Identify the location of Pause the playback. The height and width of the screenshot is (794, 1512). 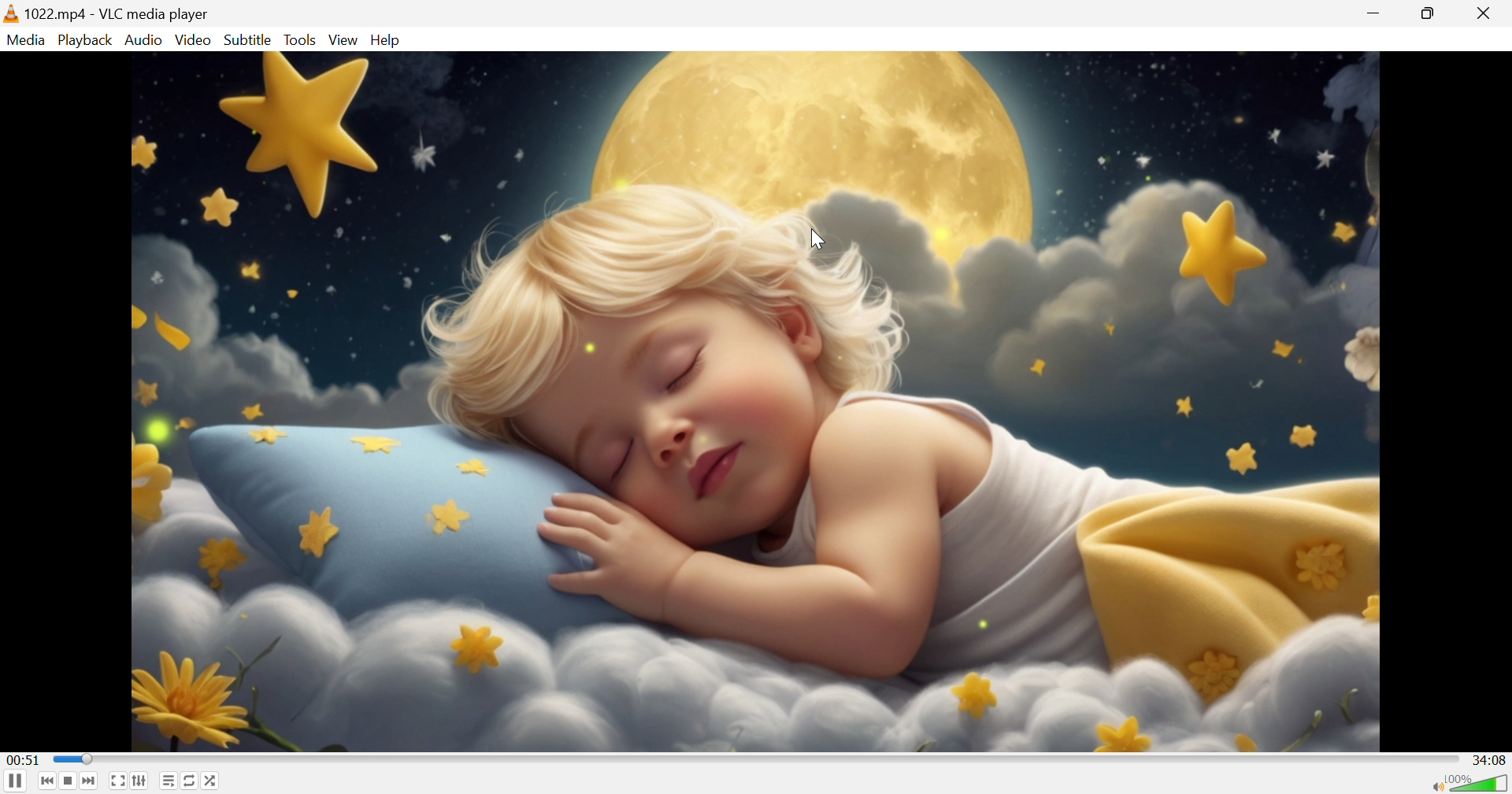
(14, 782).